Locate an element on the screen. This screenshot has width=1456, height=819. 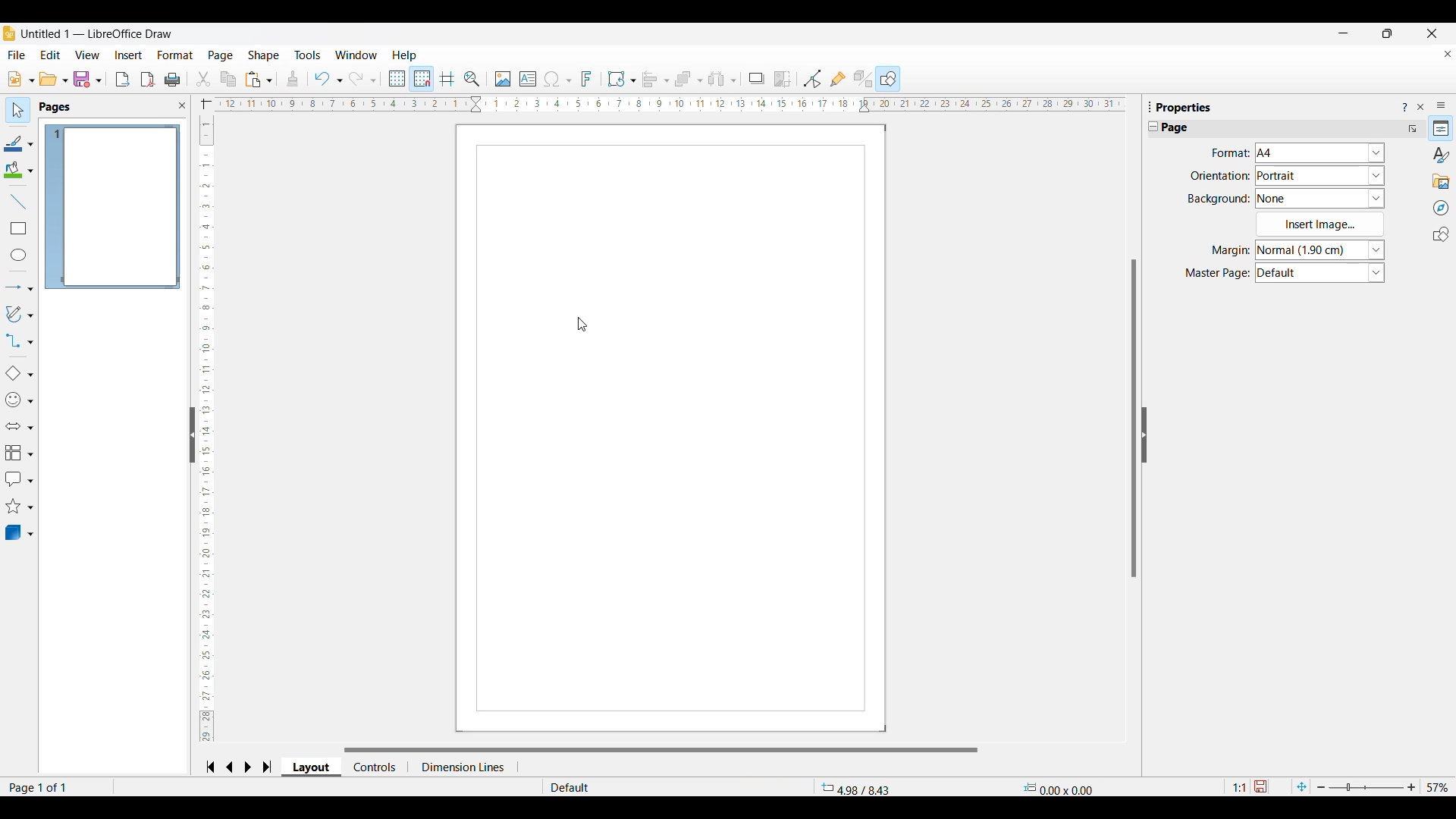
Gallery is located at coordinates (1442, 182).